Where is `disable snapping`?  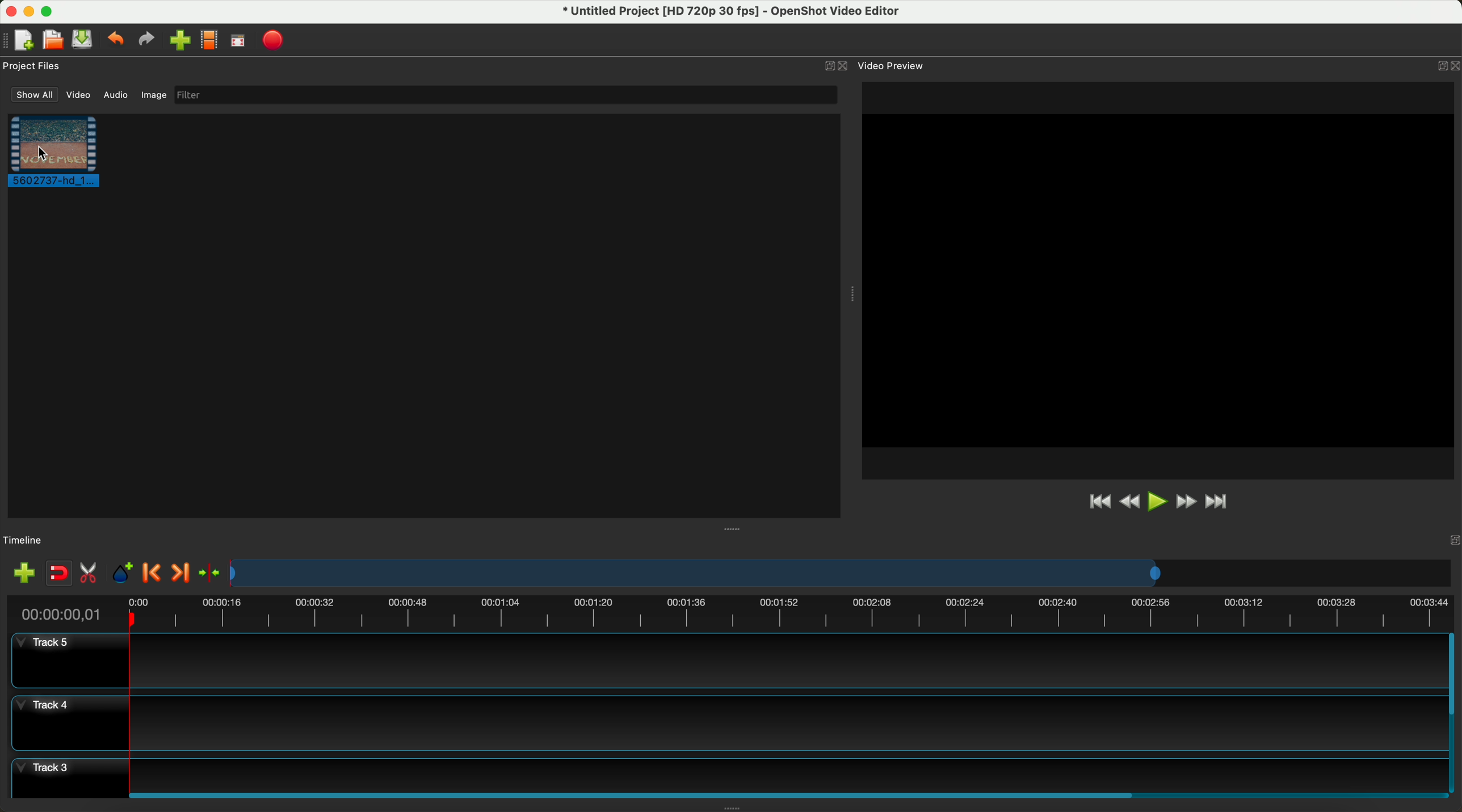 disable snapping is located at coordinates (60, 574).